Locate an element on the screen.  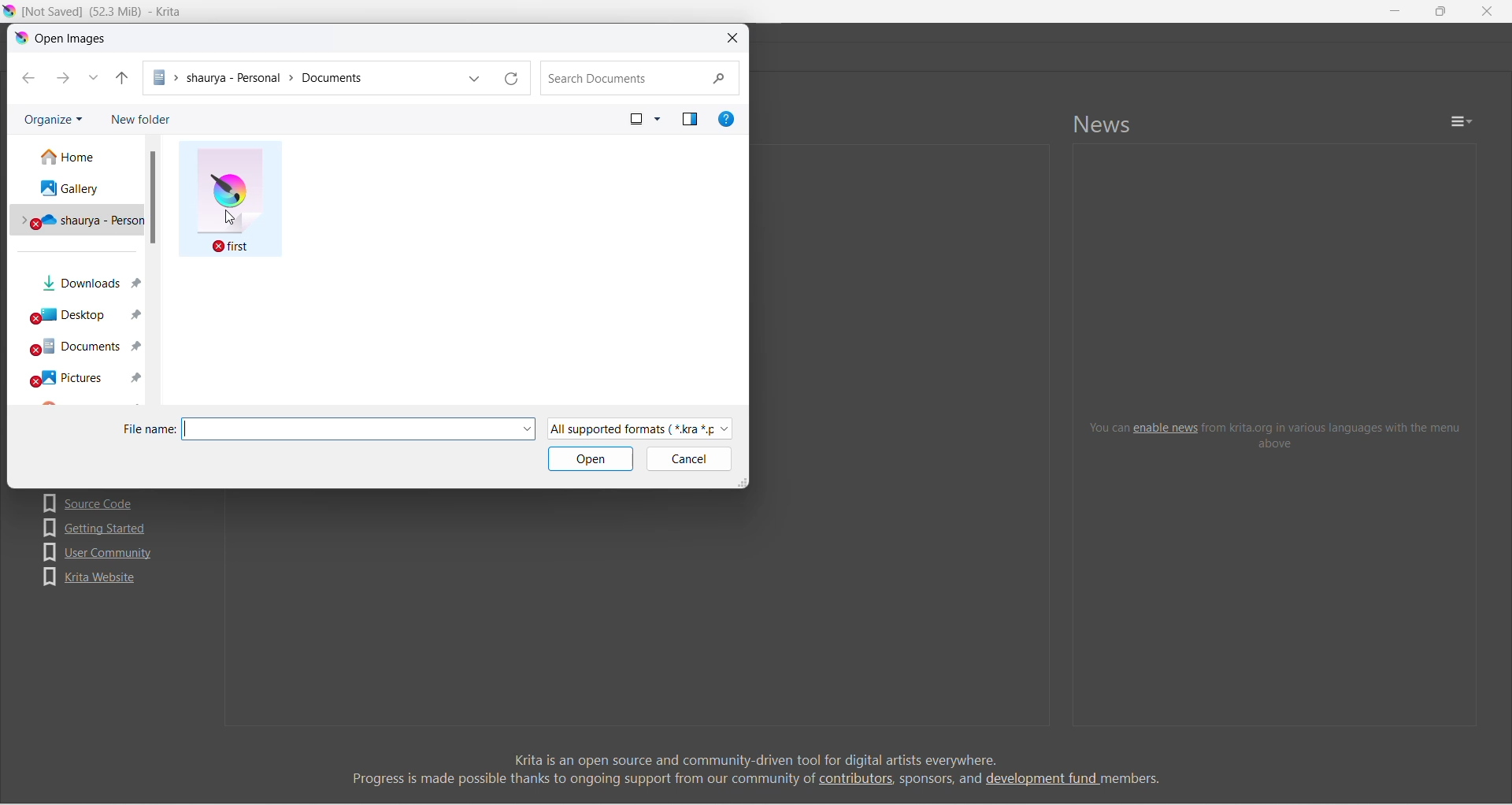
previous pane is located at coordinates (691, 119).